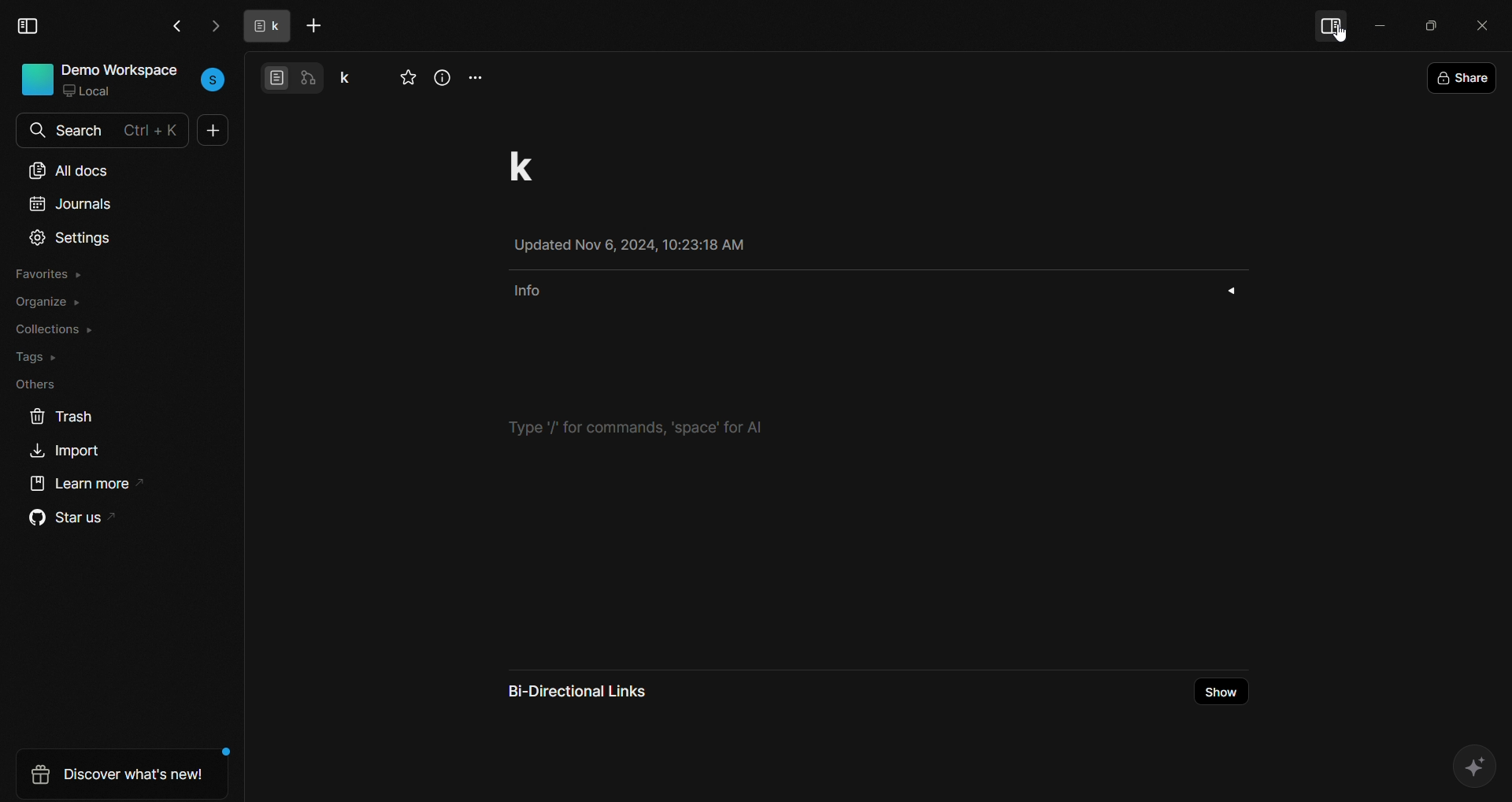 This screenshot has width=1512, height=802. What do you see at coordinates (66, 520) in the screenshot?
I see `star us` at bounding box center [66, 520].